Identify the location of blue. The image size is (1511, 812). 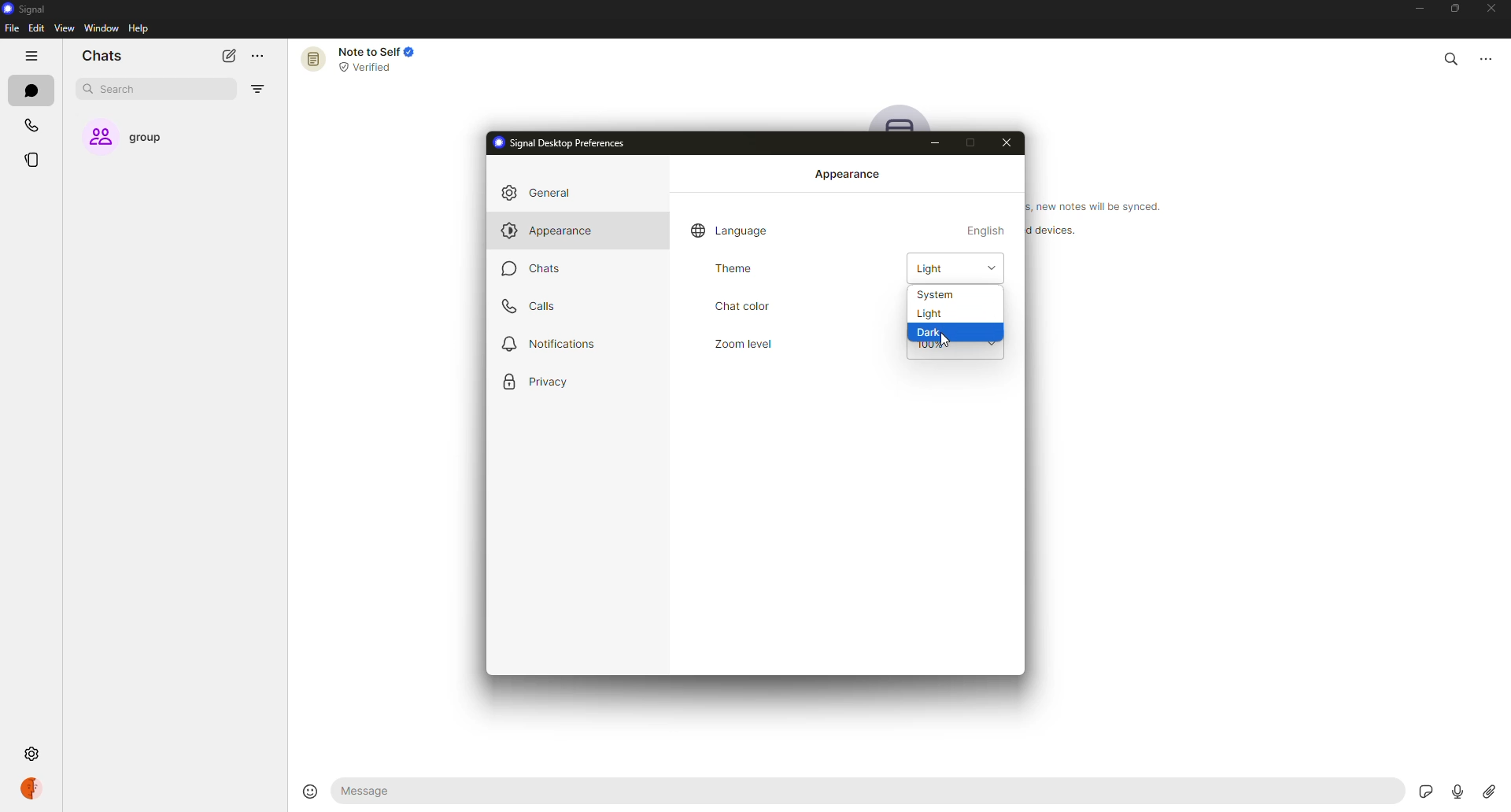
(988, 304).